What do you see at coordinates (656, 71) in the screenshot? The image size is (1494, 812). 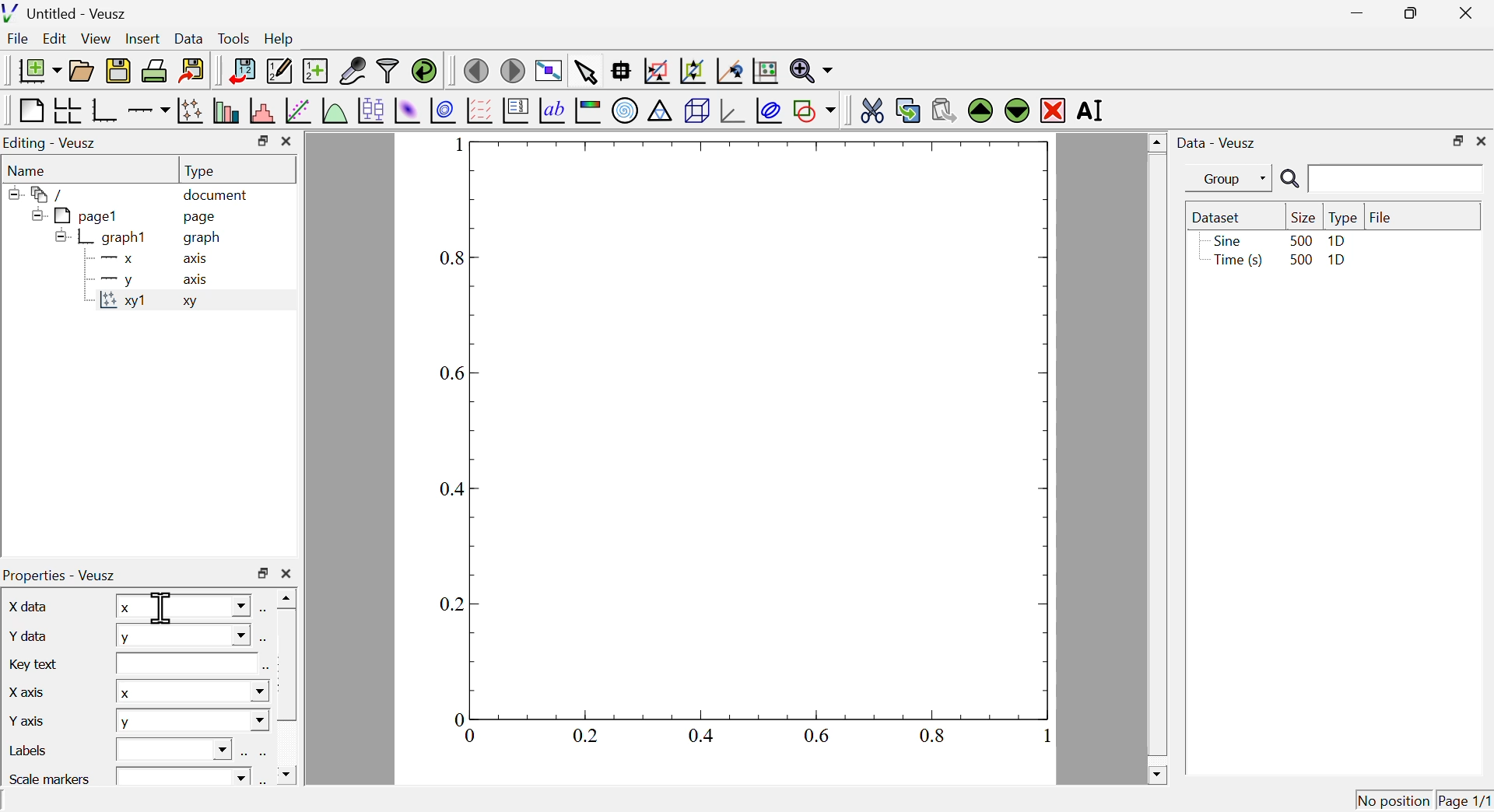 I see `draw a rectangle to zoom graph axes` at bounding box center [656, 71].